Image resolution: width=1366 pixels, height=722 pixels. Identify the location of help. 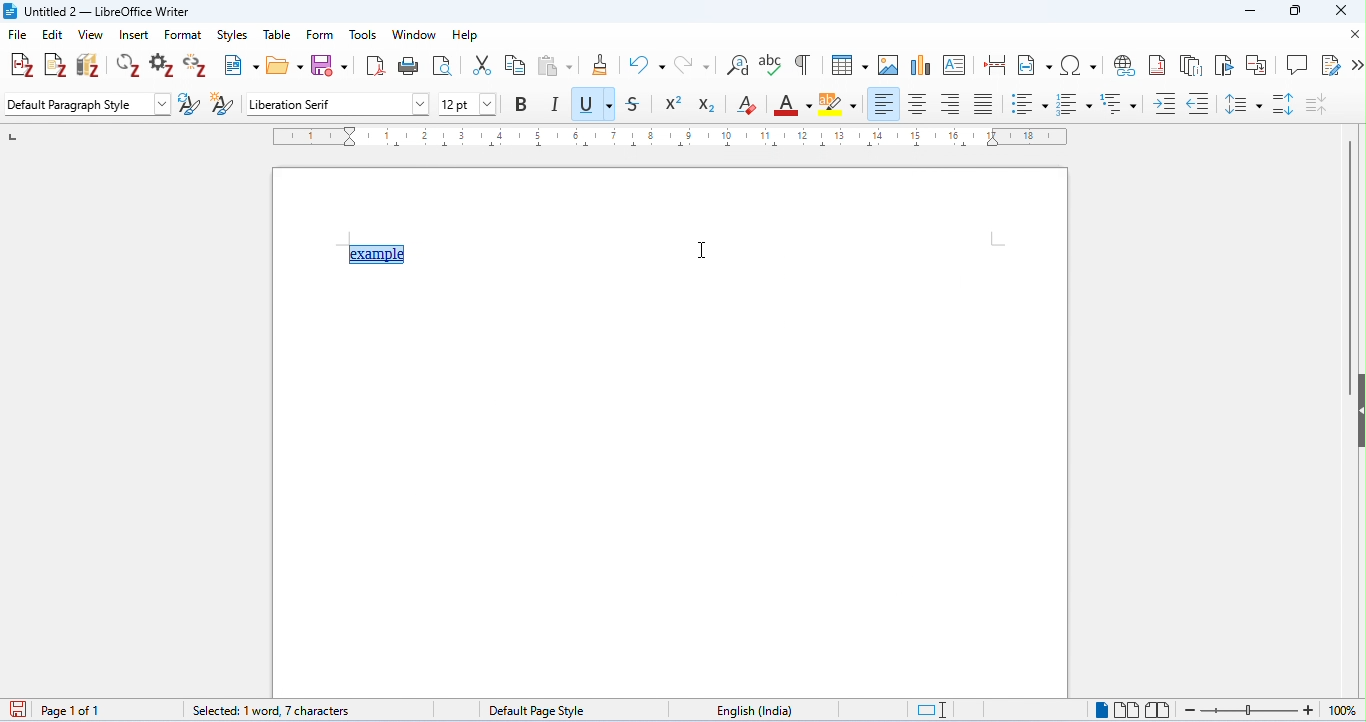
(466, 36).